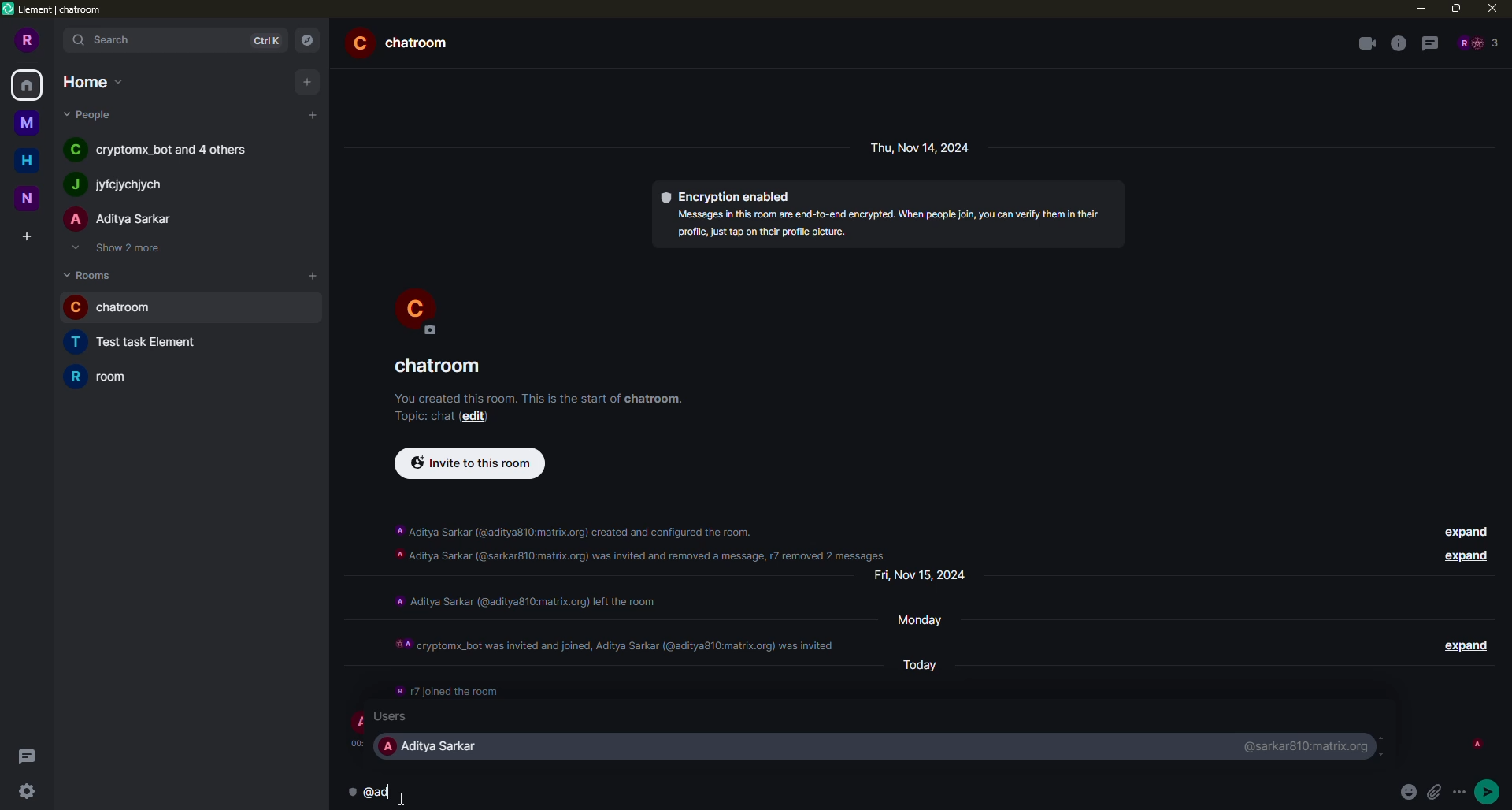 Image resolution: width=1512 pixels, height=810 pixels. I want to click on time, so click(361, 742).